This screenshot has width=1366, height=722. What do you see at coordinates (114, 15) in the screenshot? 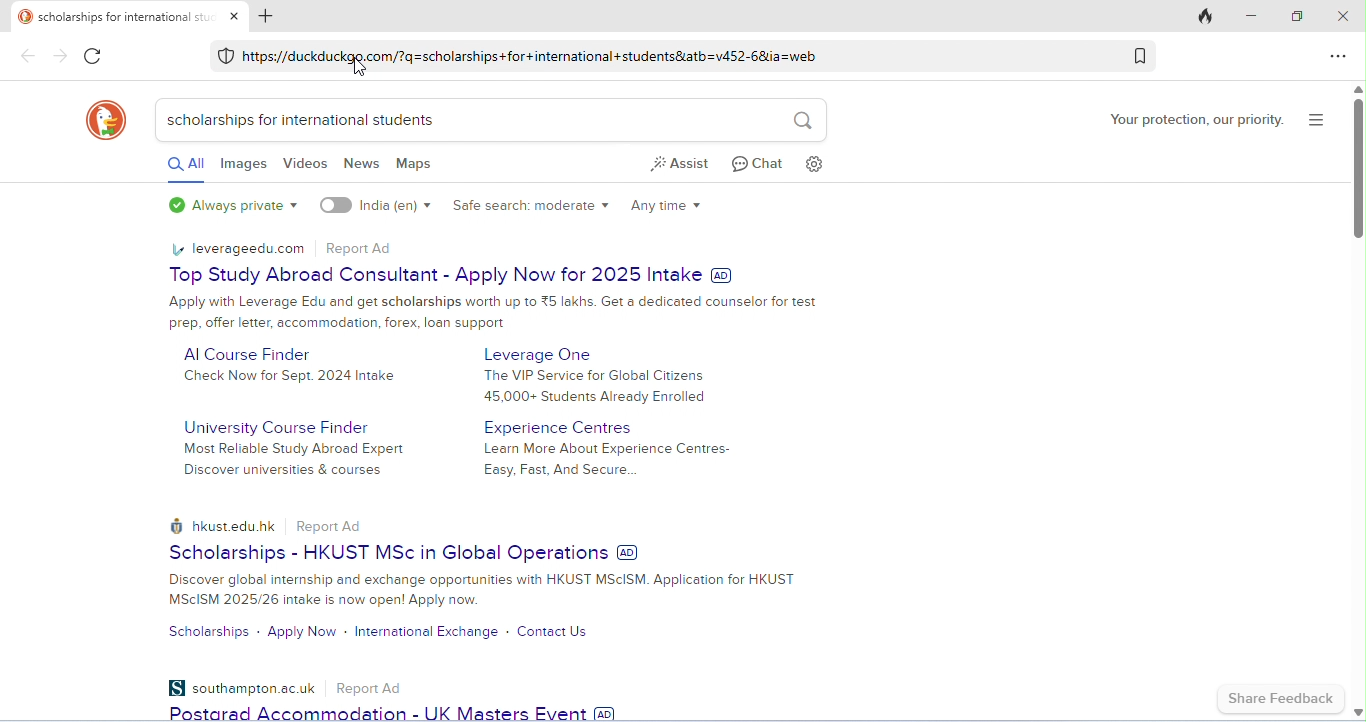
I see `tab title` at bounding box center [114, 15].